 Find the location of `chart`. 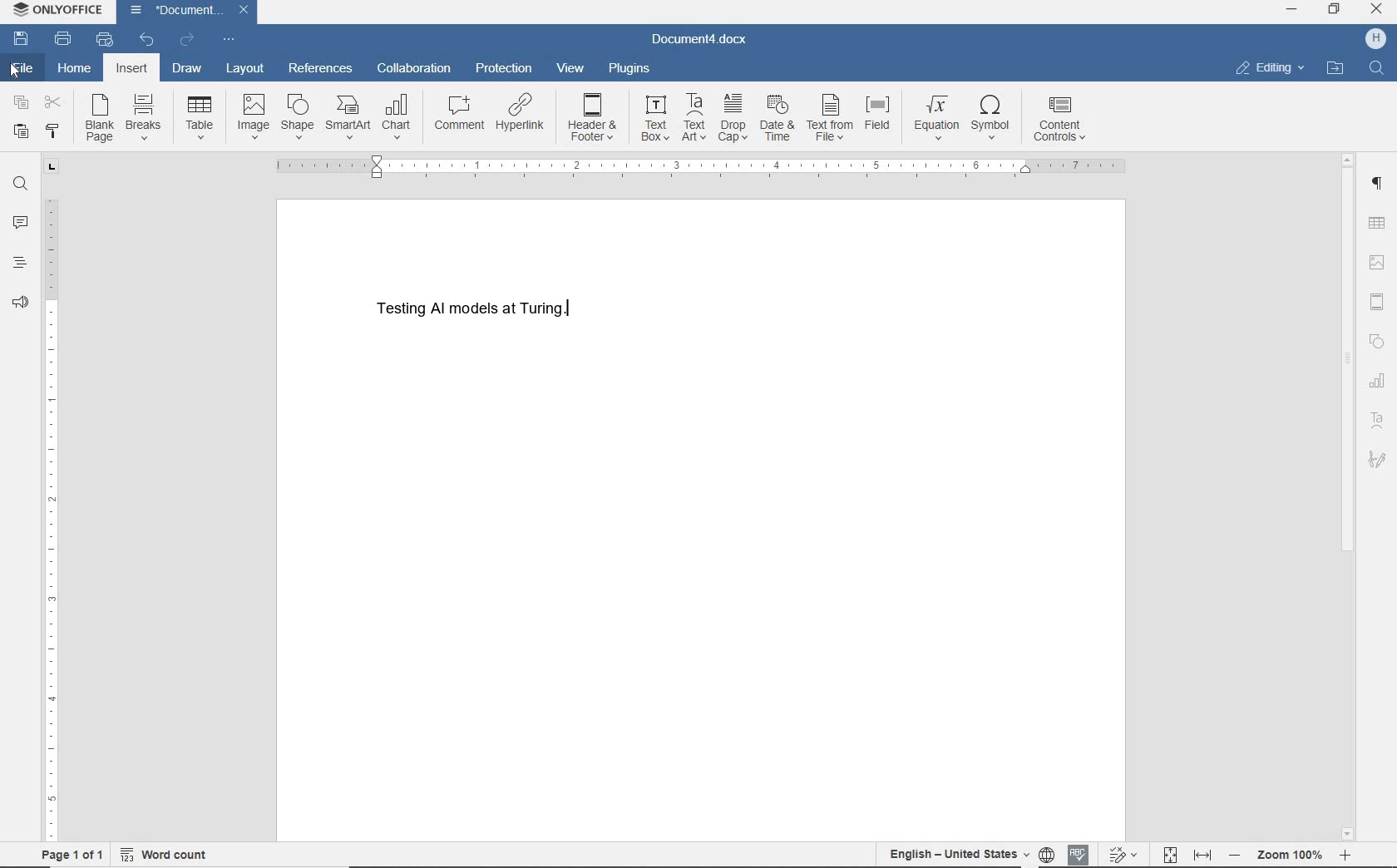

chart is located at coordinates (397, 117).